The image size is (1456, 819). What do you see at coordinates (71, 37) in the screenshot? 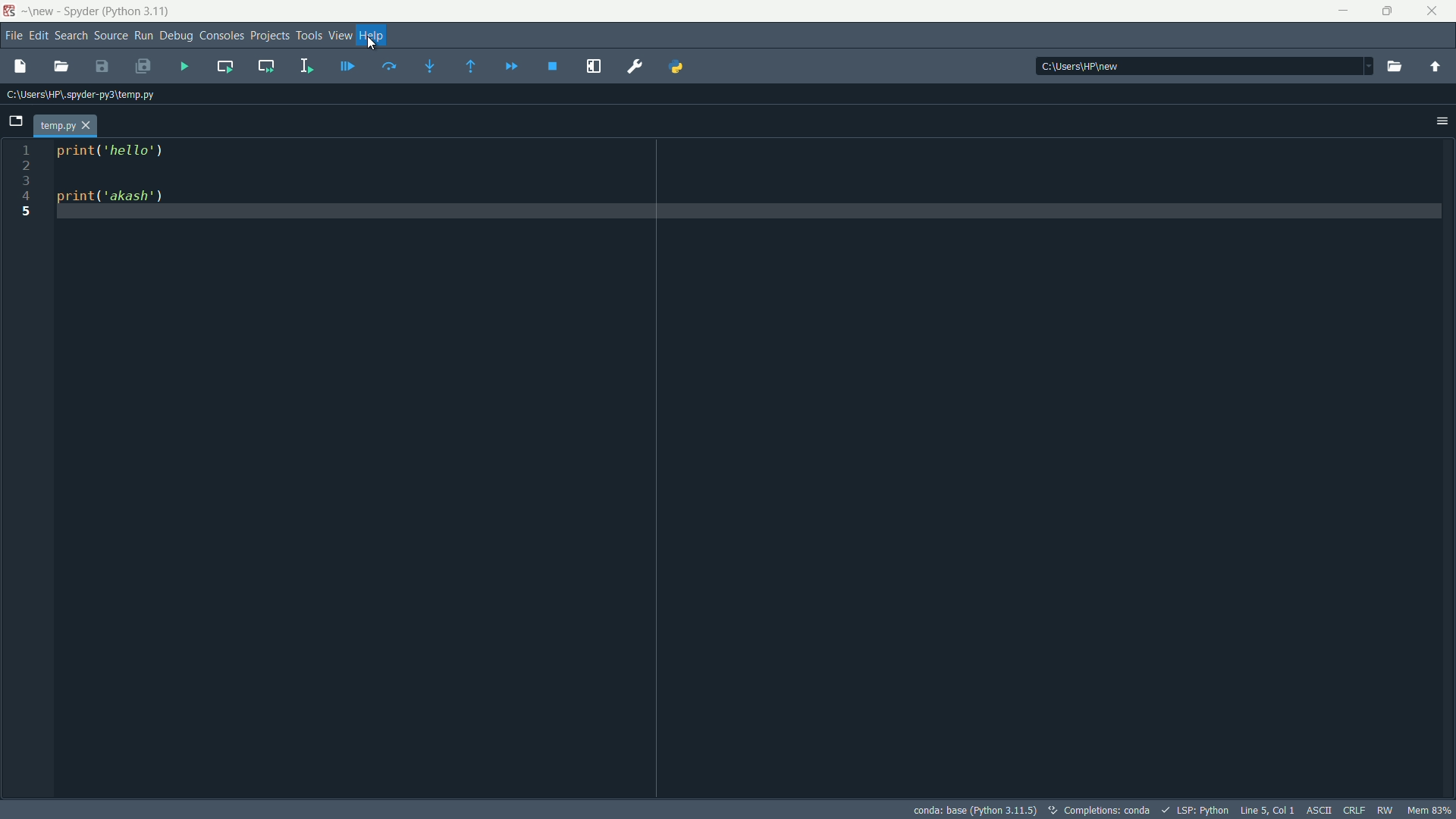
I see `search menu` at bounding box center [71, 37].